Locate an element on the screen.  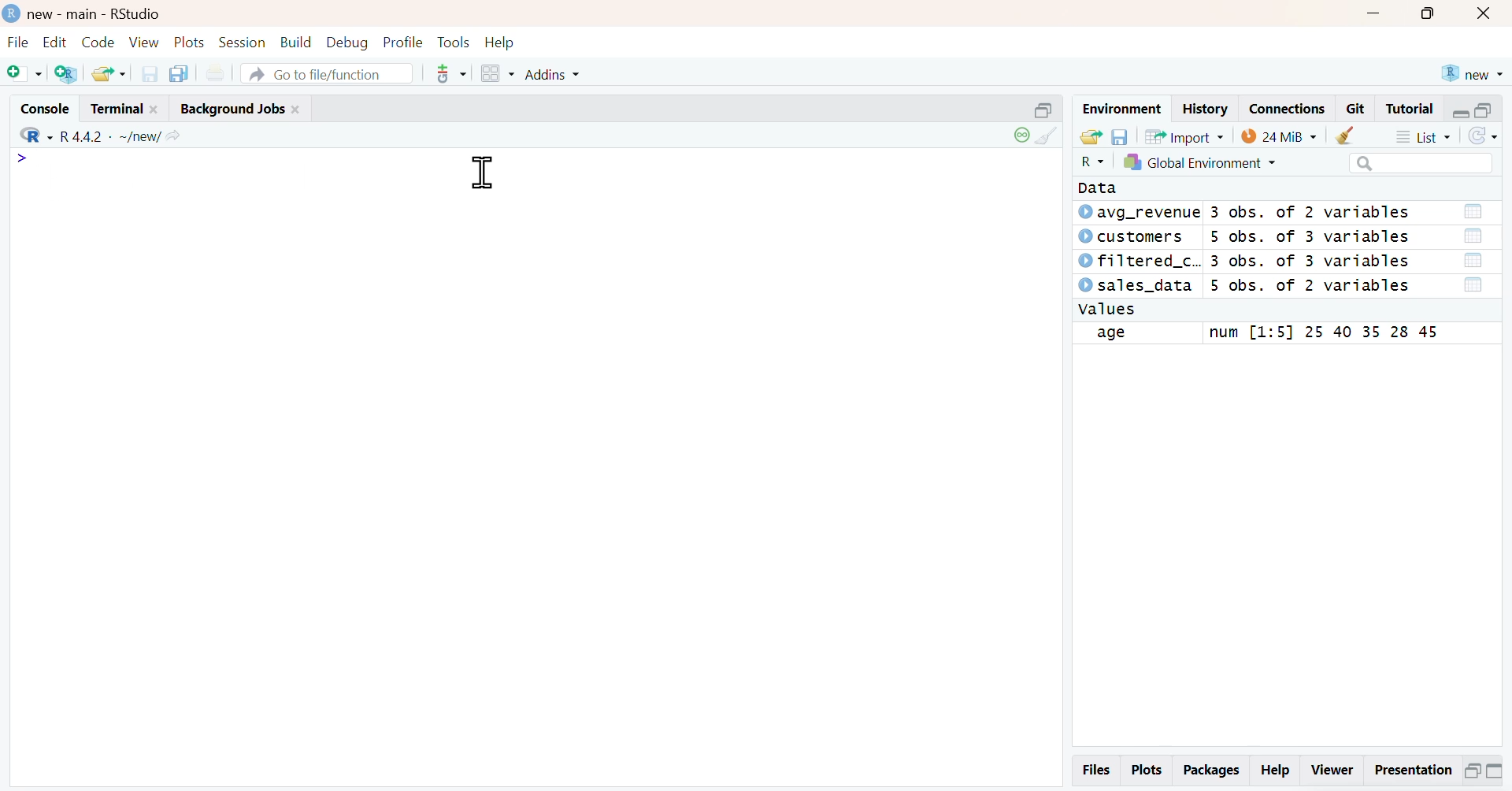
Refresh is located at coordinates (1482, 136).